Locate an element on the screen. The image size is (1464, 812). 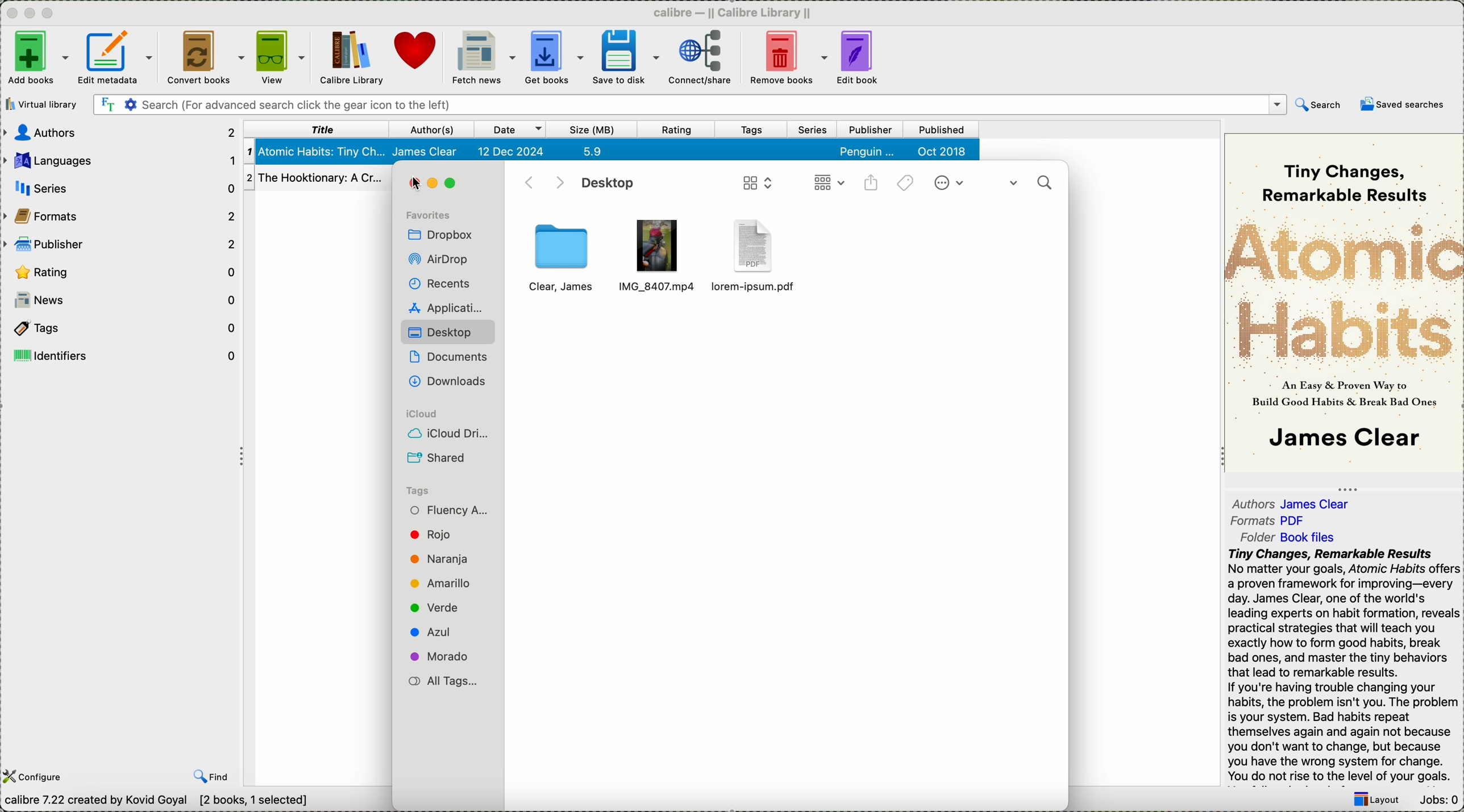
Calibre library is located at coordinates (350, 56).